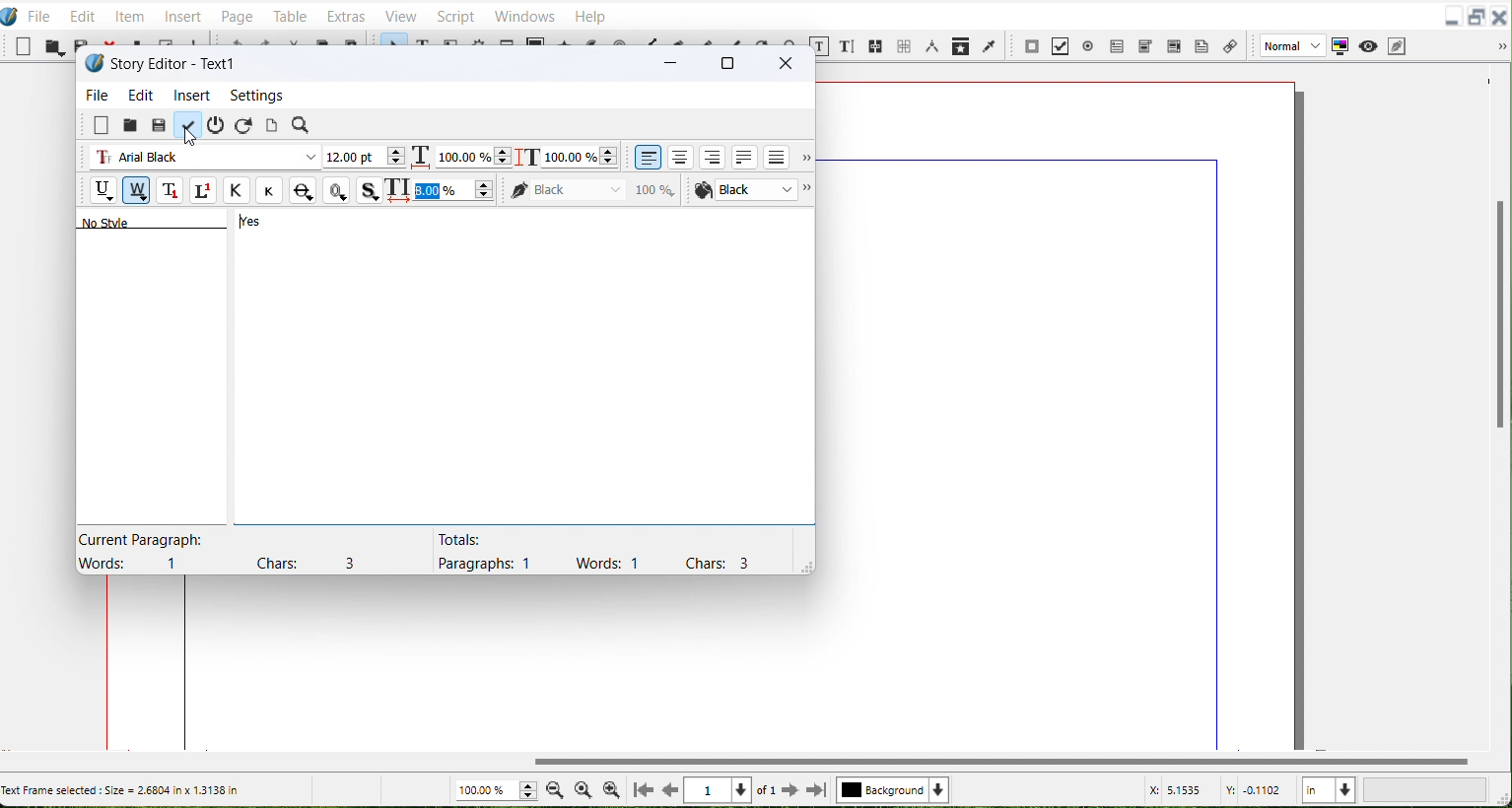 The width and height of the screenshot is (1512, 808). I want to click on right margin, so click(1218, 460).